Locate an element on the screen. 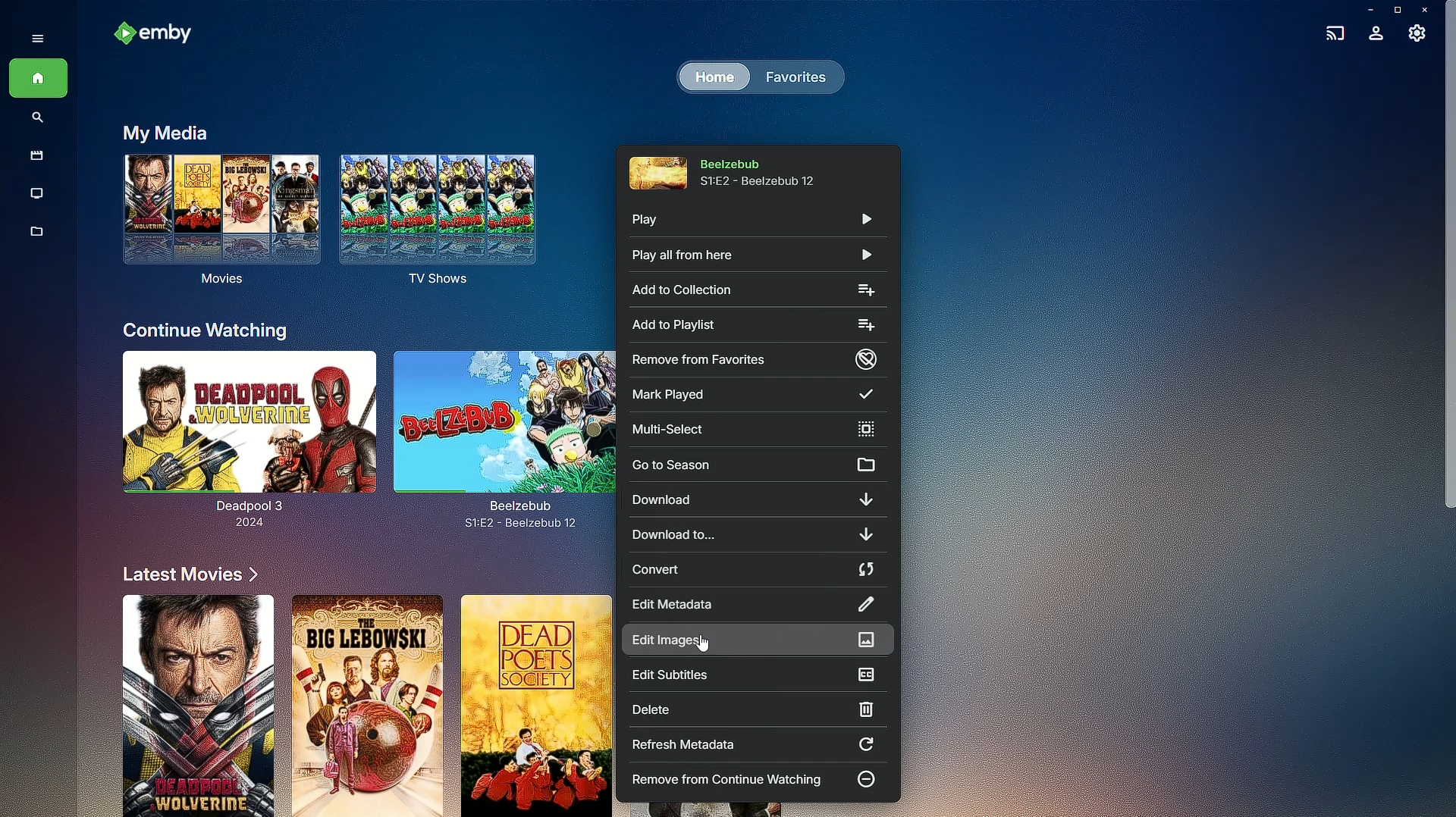 This screenshot has width=1456, height=817. Deadpool 3 is located at coordinates (241, 443).